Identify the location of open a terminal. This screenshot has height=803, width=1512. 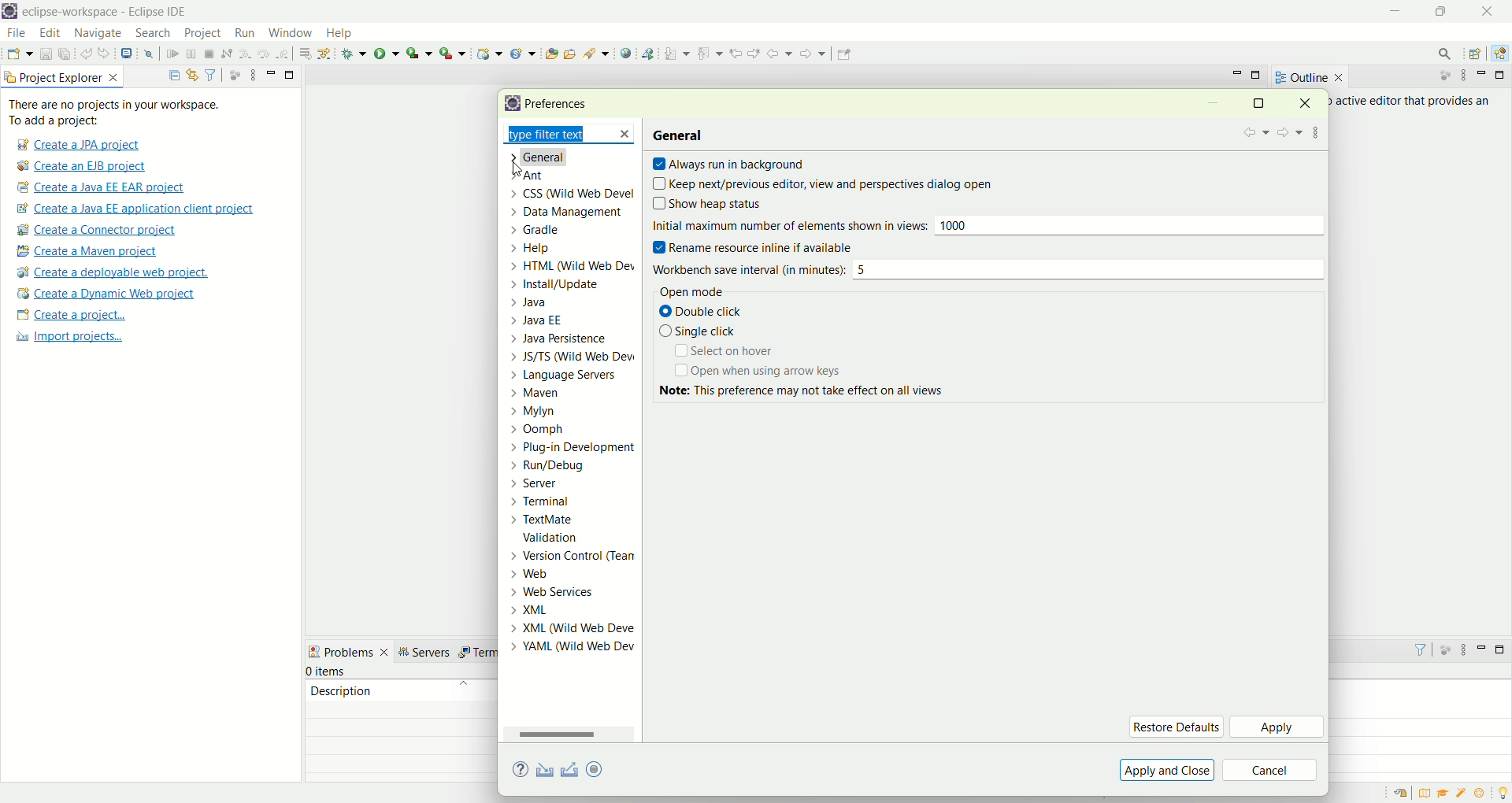
(125, 54).